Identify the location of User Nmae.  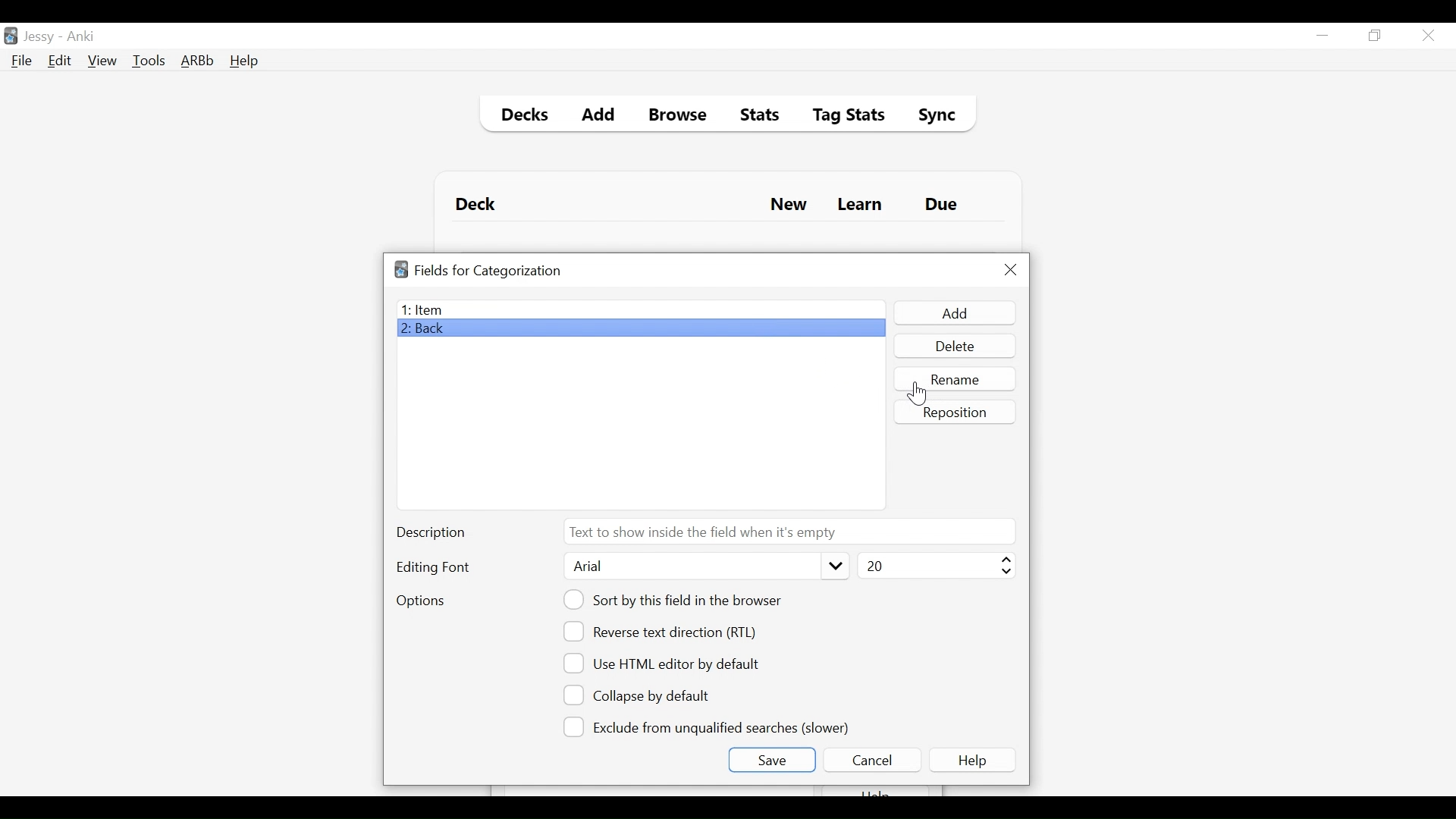
(42, 37).